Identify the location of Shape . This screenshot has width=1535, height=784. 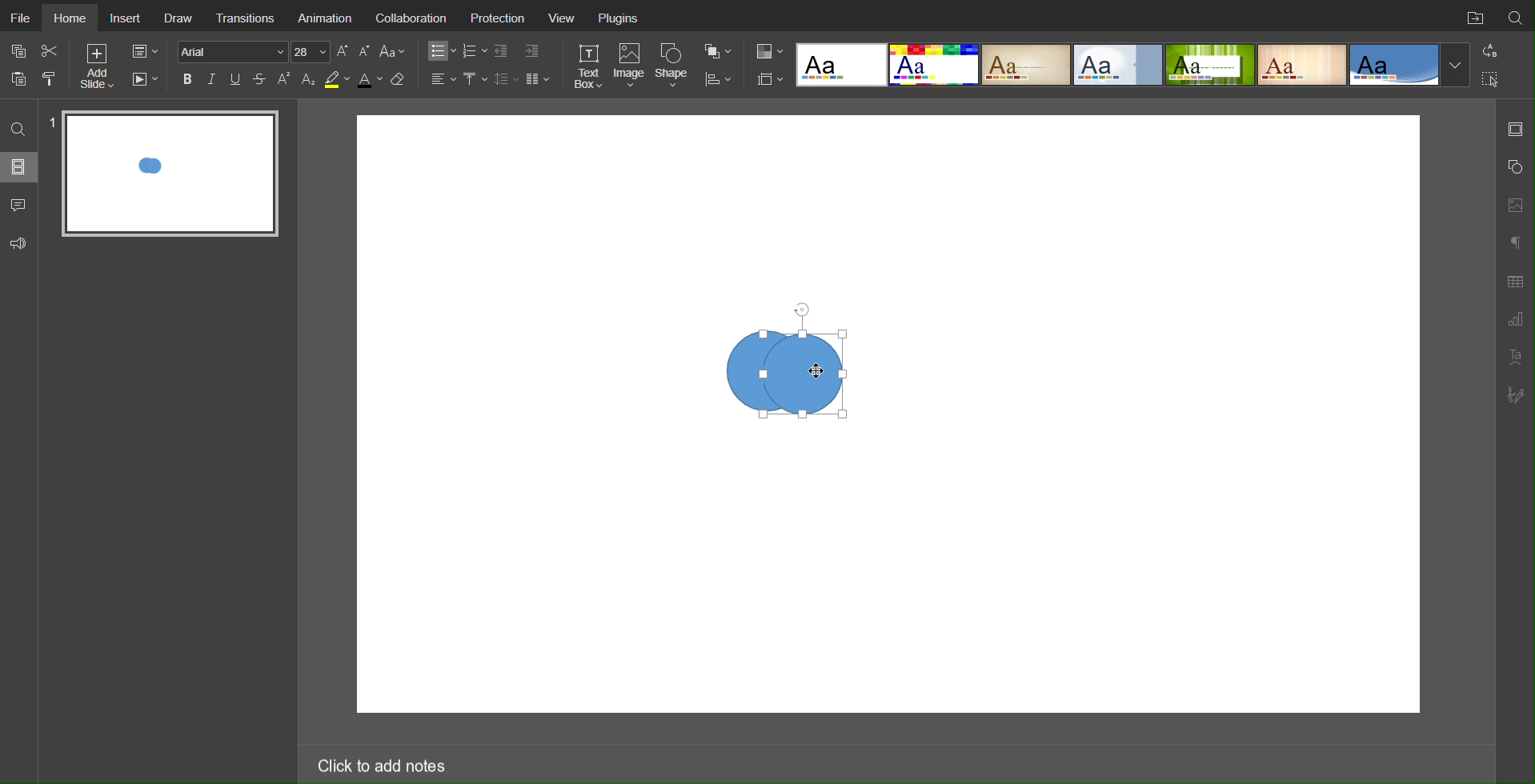
(675, 65).